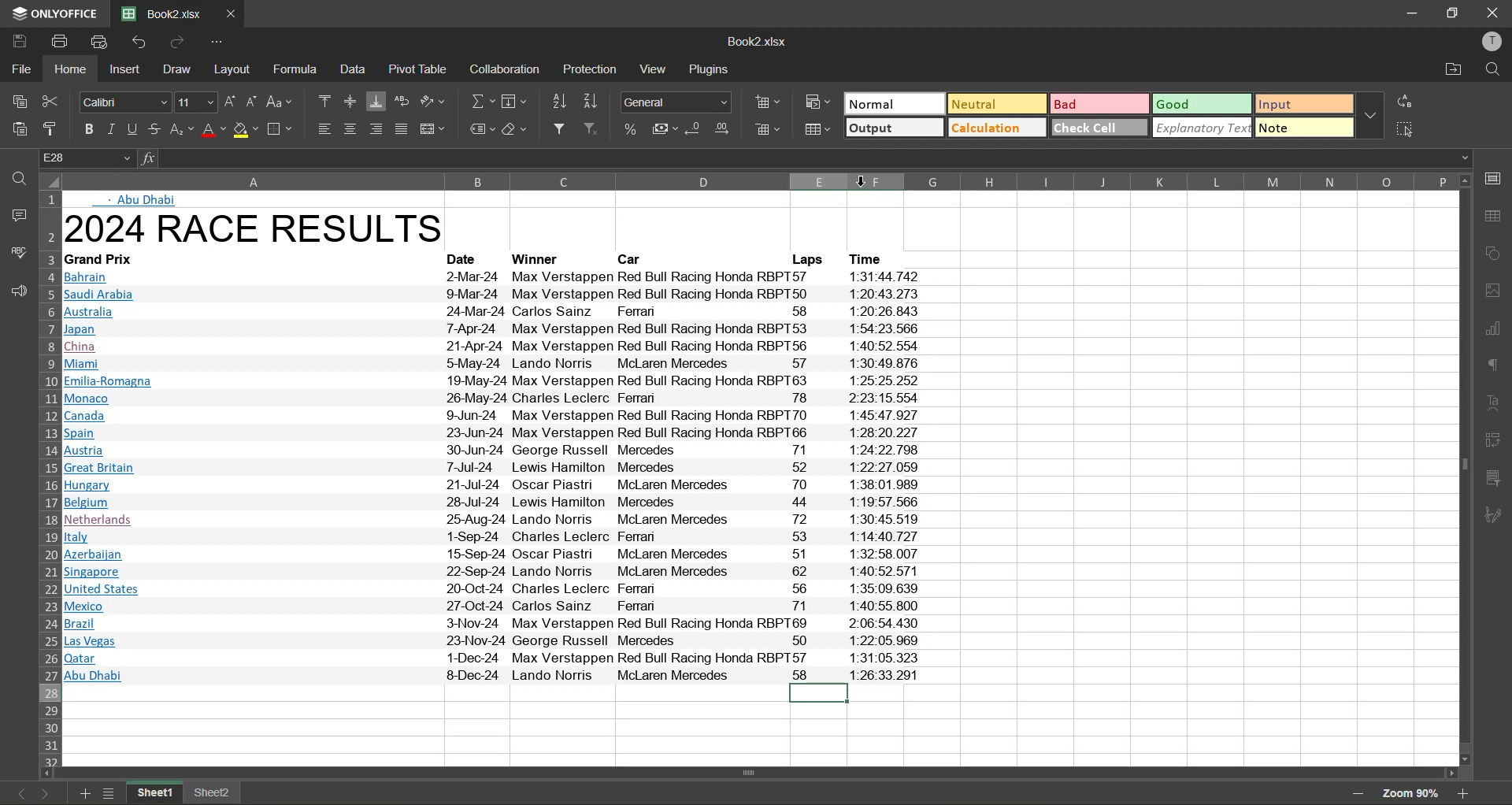 Image resolution: width=1512 pixels, height=805 pixels. Describe the element at coordinates (492, 658) in the screenshot. I see `Qatar 1-Dec-24 Max Verstappen Red Bull Racing Honda RBPTS57 1:31:05.323` at that location.